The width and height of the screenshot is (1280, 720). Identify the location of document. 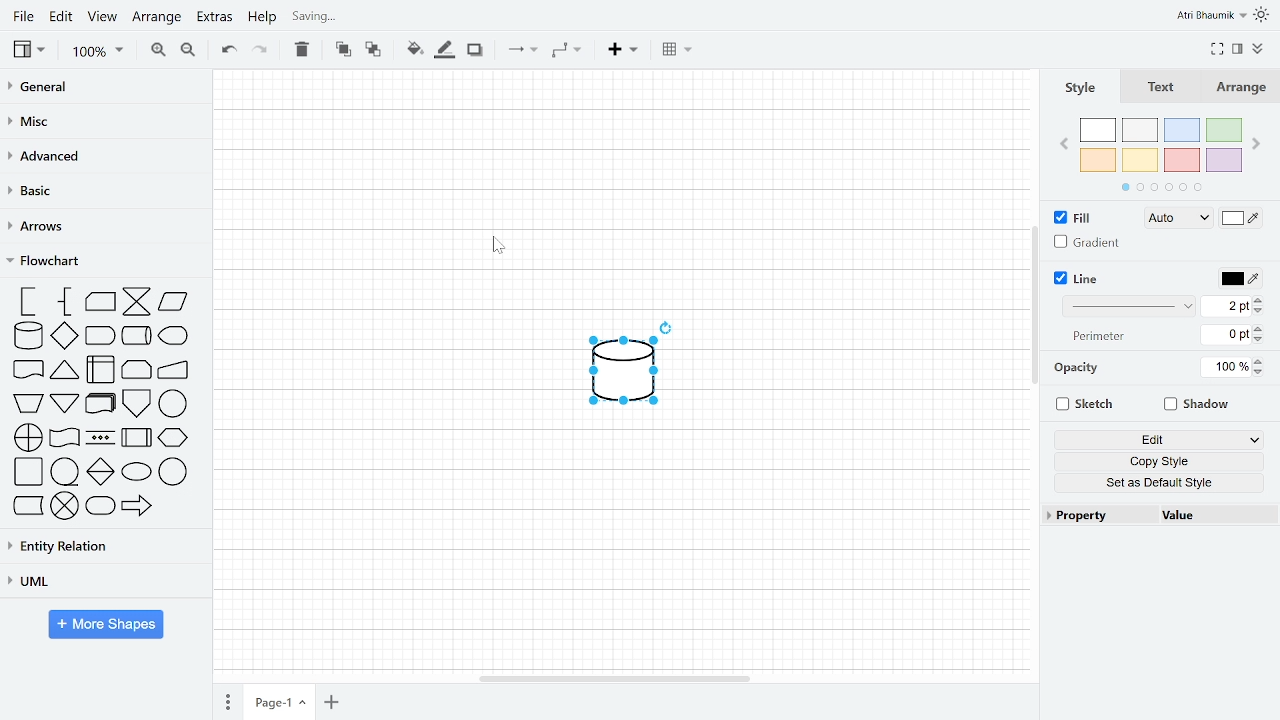
(28, 371).